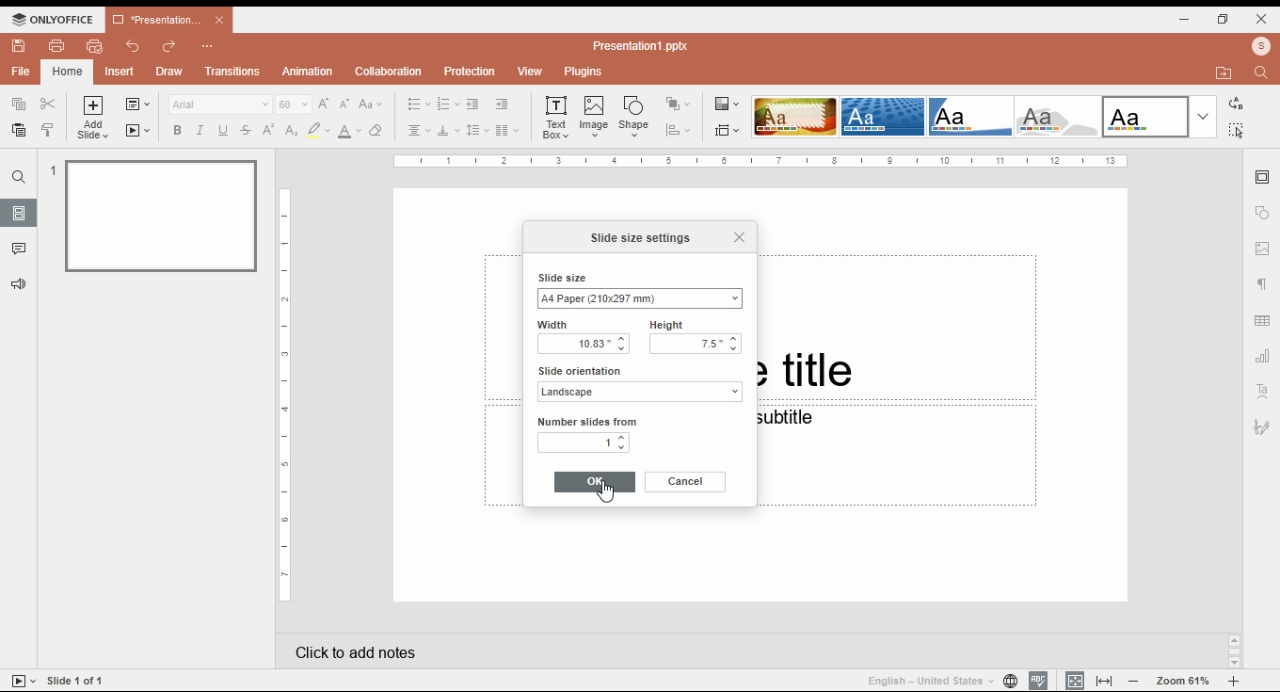  What do you see at coordinates (584, 72) in the screenshot?
I see `plugins` at bounding box center [584, 72].